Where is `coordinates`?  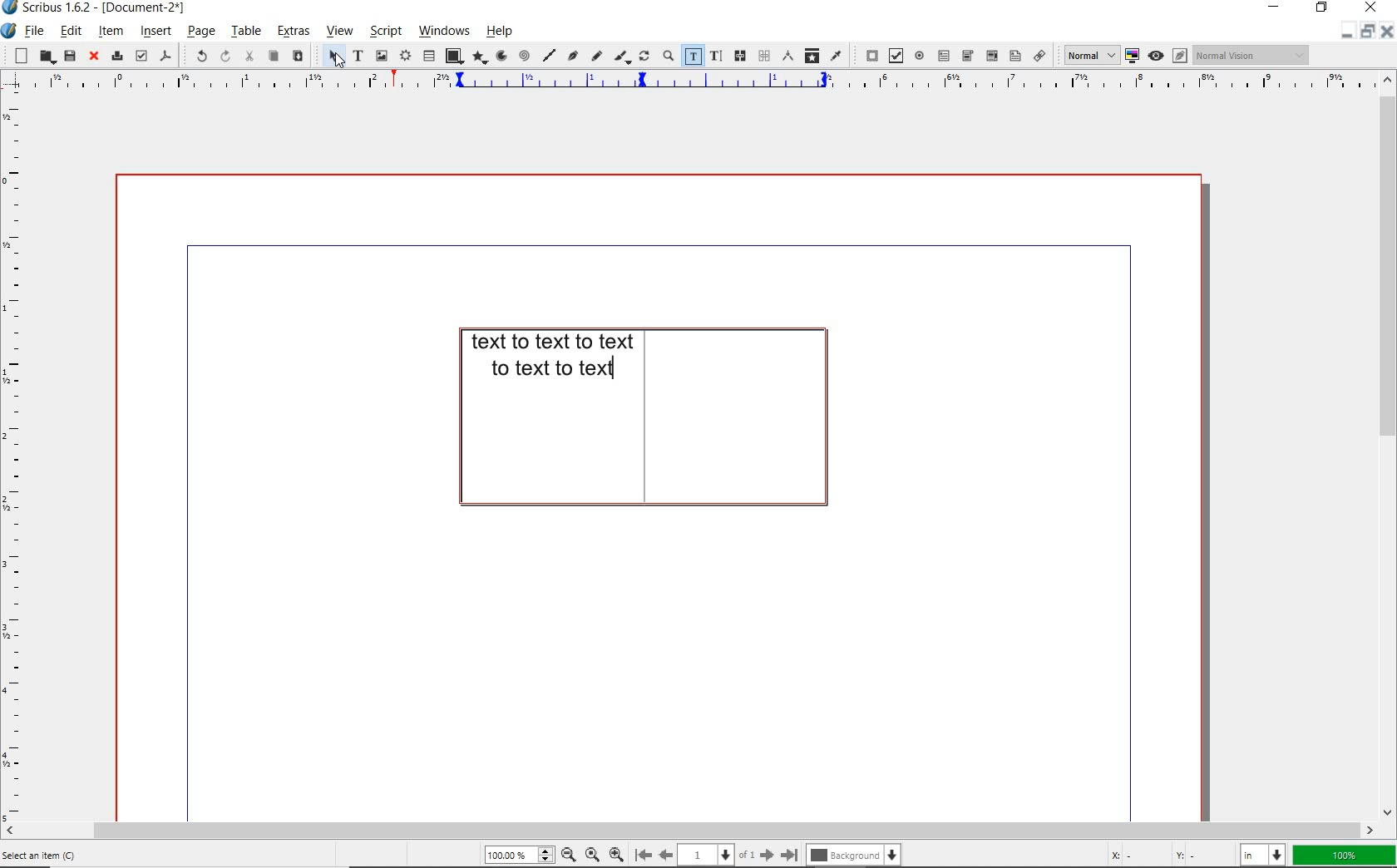
coordinates is located at coordinates (1164, 856).